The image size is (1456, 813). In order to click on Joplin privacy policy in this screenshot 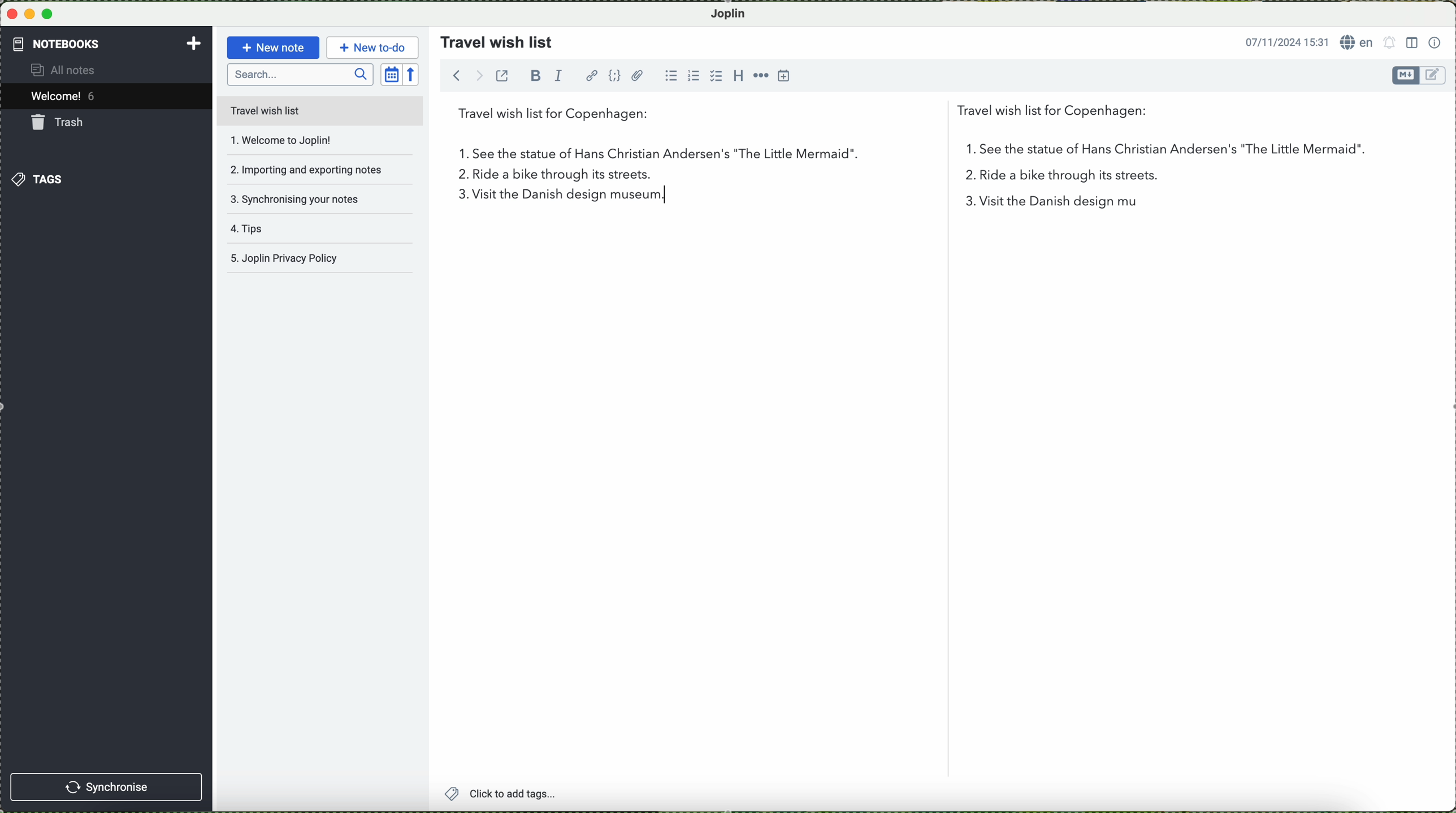, I will do `click(317, 261)`.